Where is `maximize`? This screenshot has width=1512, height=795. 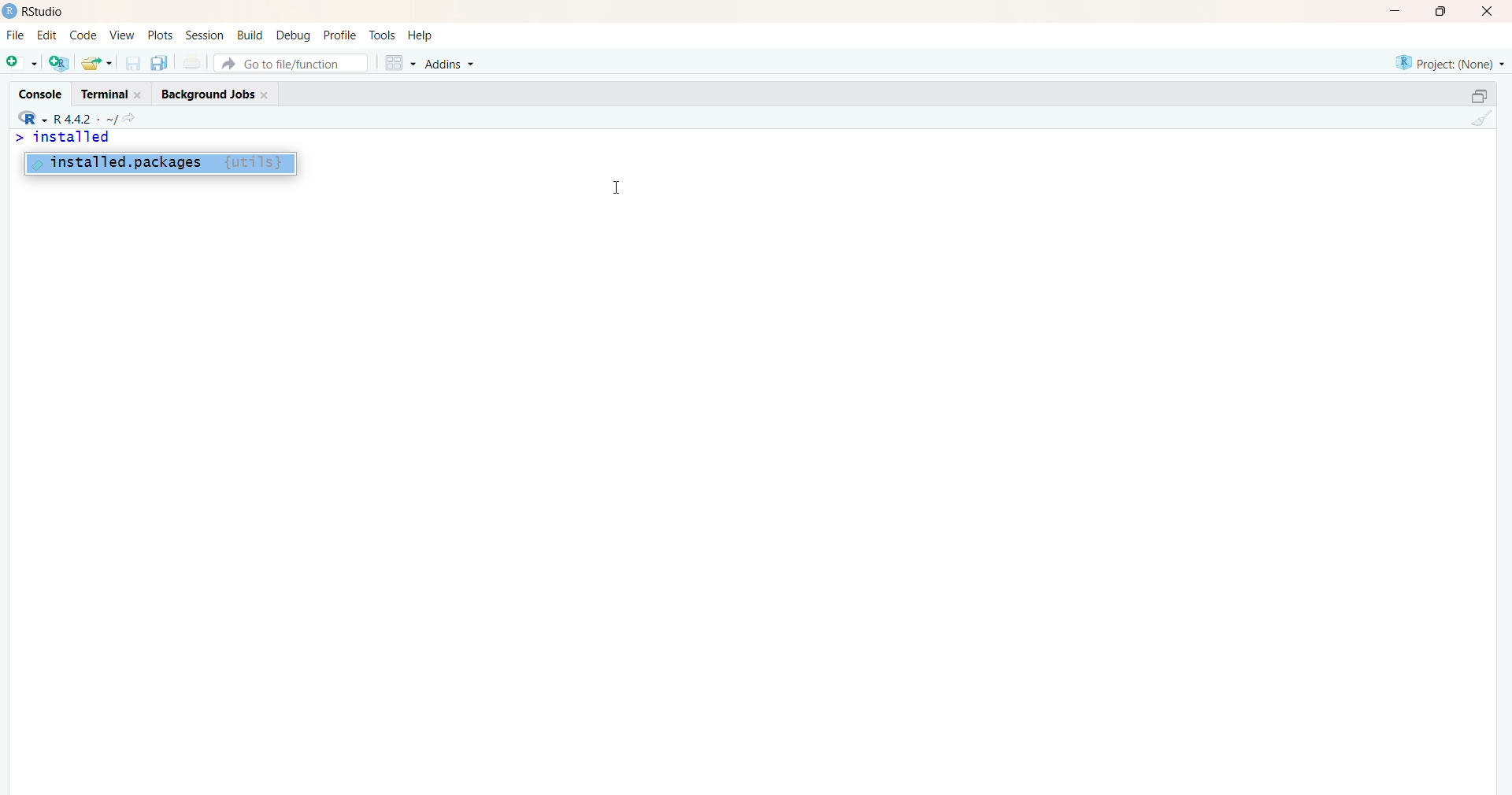 maximize is located at coordinates (1440, 11).